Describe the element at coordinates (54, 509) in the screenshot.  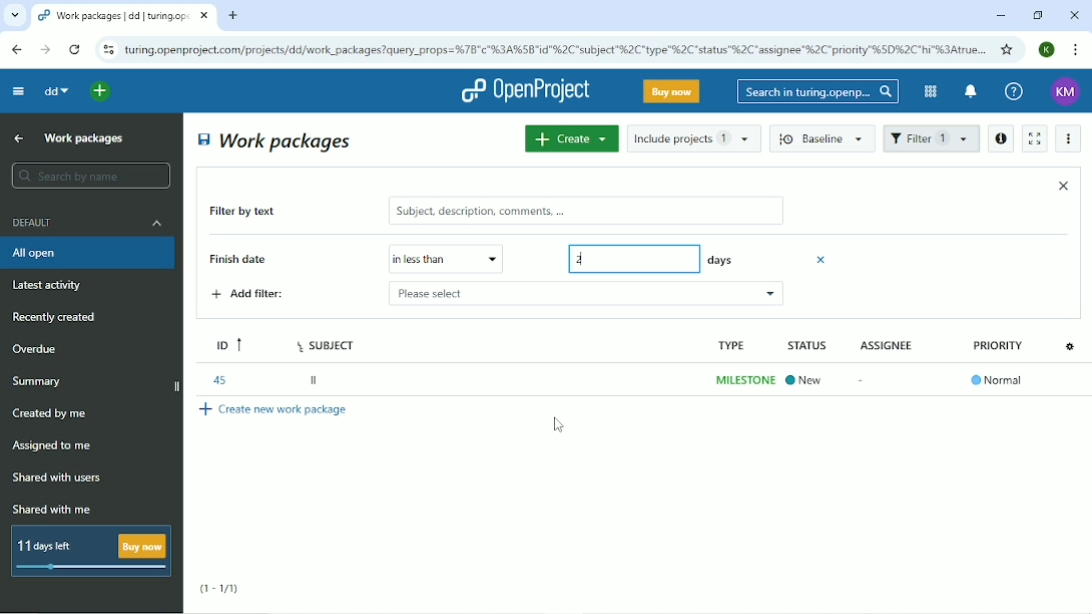
I see `Shared with me` at that location.